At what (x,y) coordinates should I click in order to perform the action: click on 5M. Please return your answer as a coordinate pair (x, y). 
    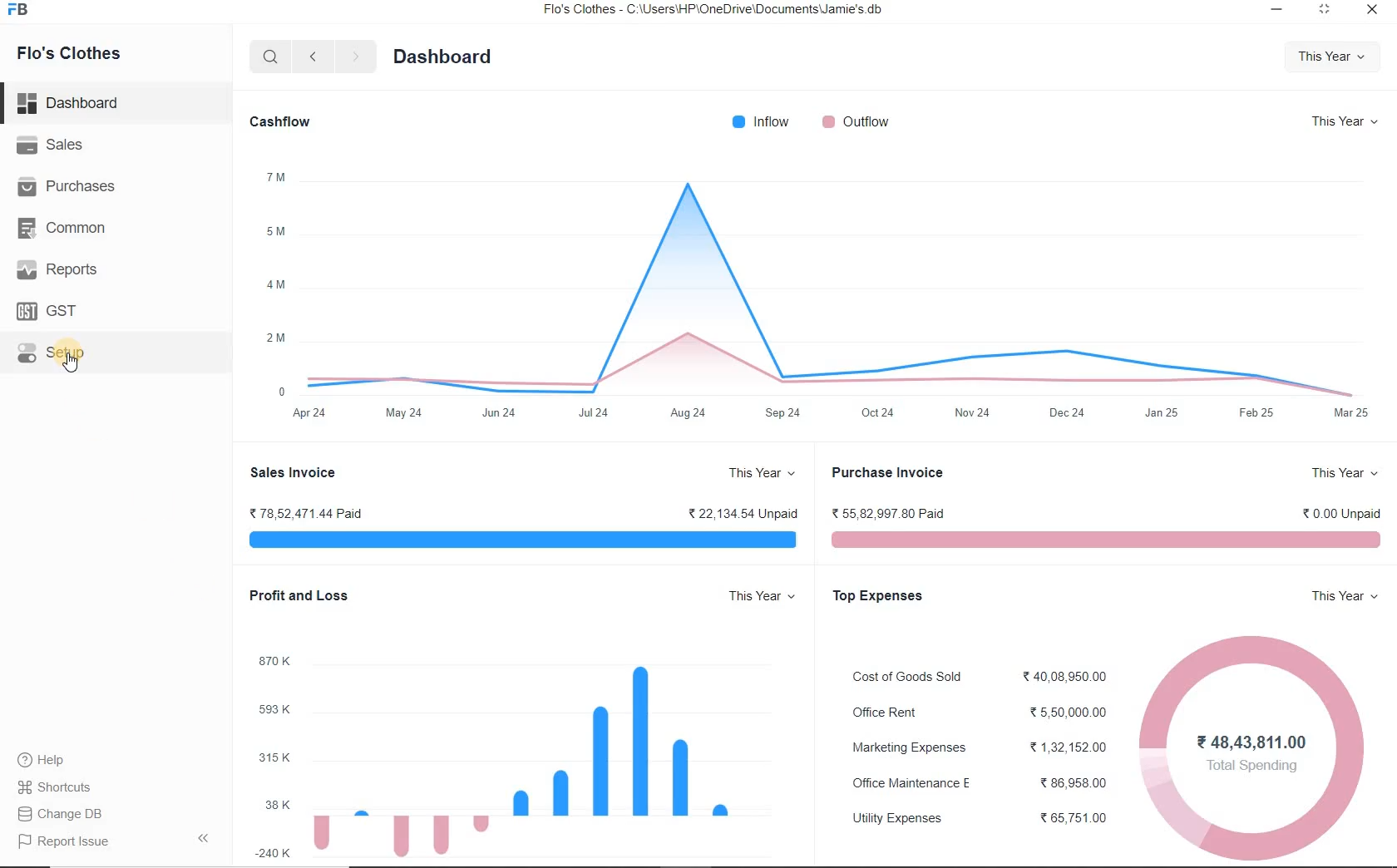
    Looking at the image, I should click on (277, 230).